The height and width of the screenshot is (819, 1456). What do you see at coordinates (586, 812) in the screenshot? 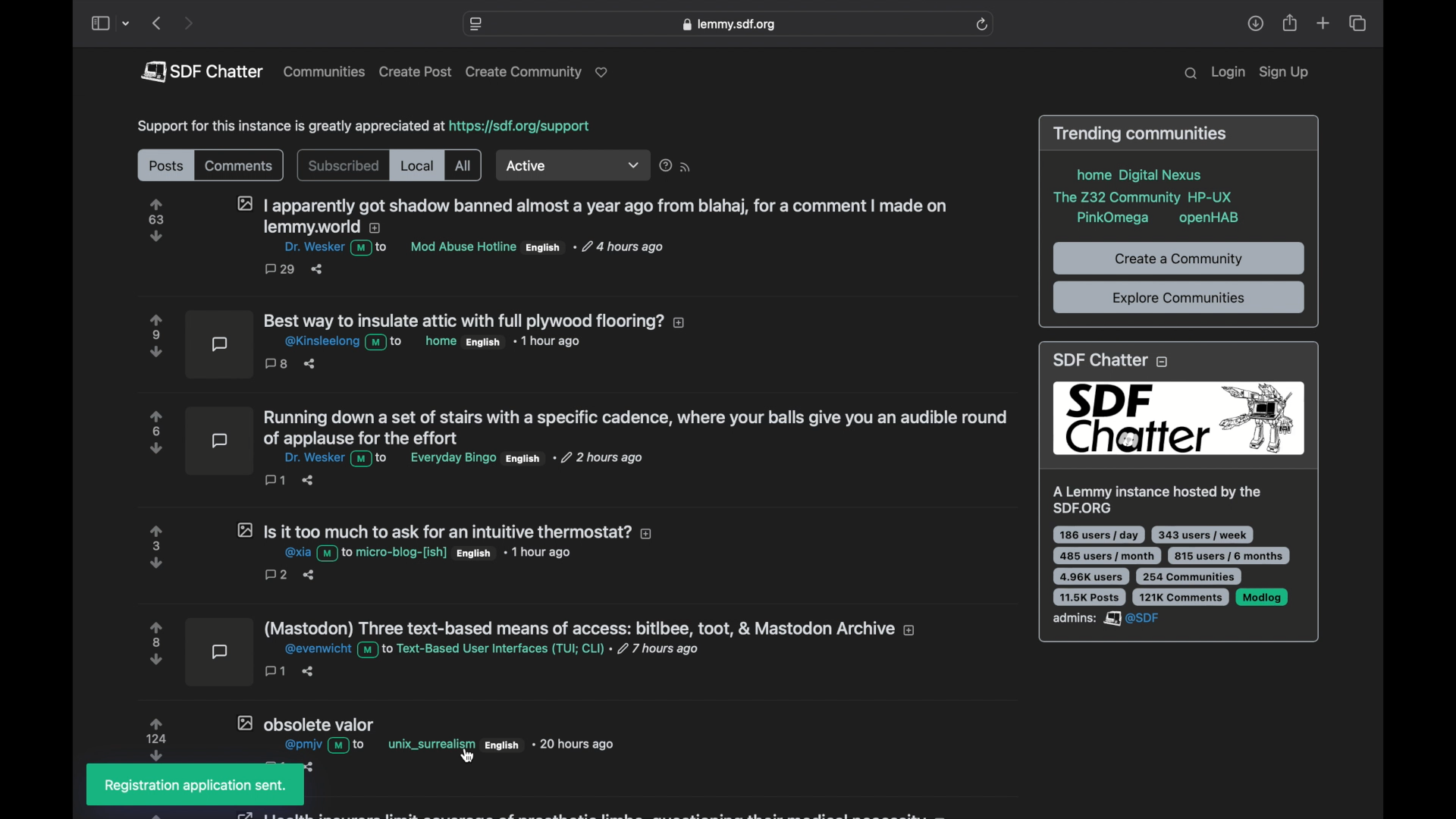
I see `obscure text` at bounding box center [586, 812].